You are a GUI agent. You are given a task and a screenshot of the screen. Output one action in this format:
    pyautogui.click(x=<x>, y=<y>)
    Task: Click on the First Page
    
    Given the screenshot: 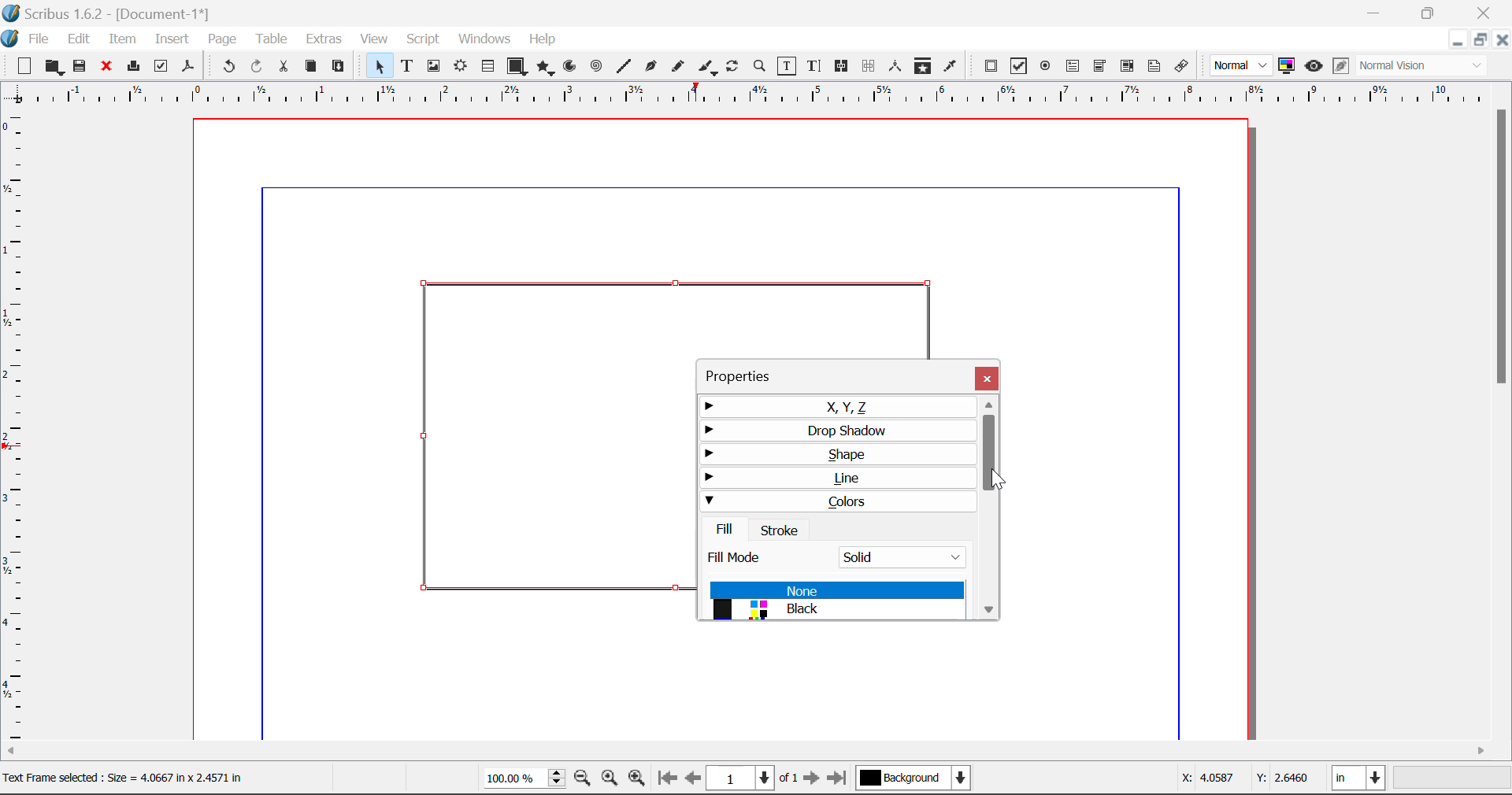 What is the action you would take?
    pyautogui.click(x=667, y=780)
    